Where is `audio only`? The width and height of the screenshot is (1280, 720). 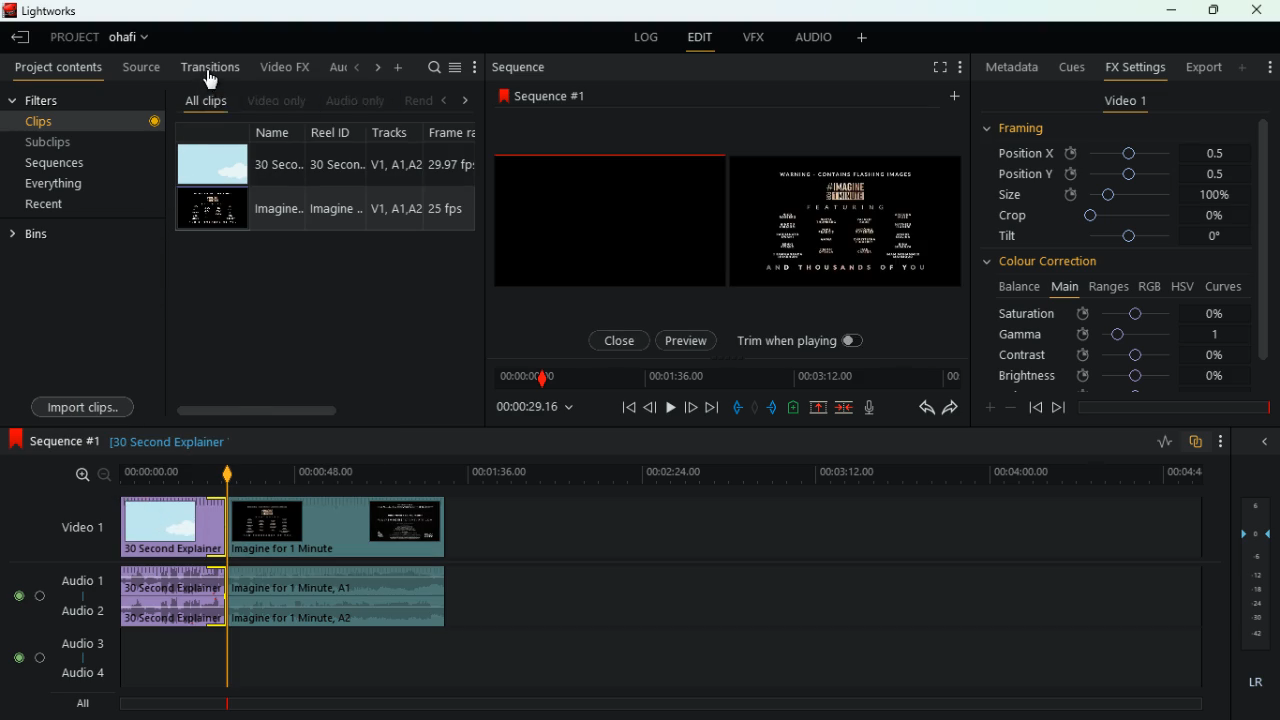
audio only is located at coordinates (354, 102).